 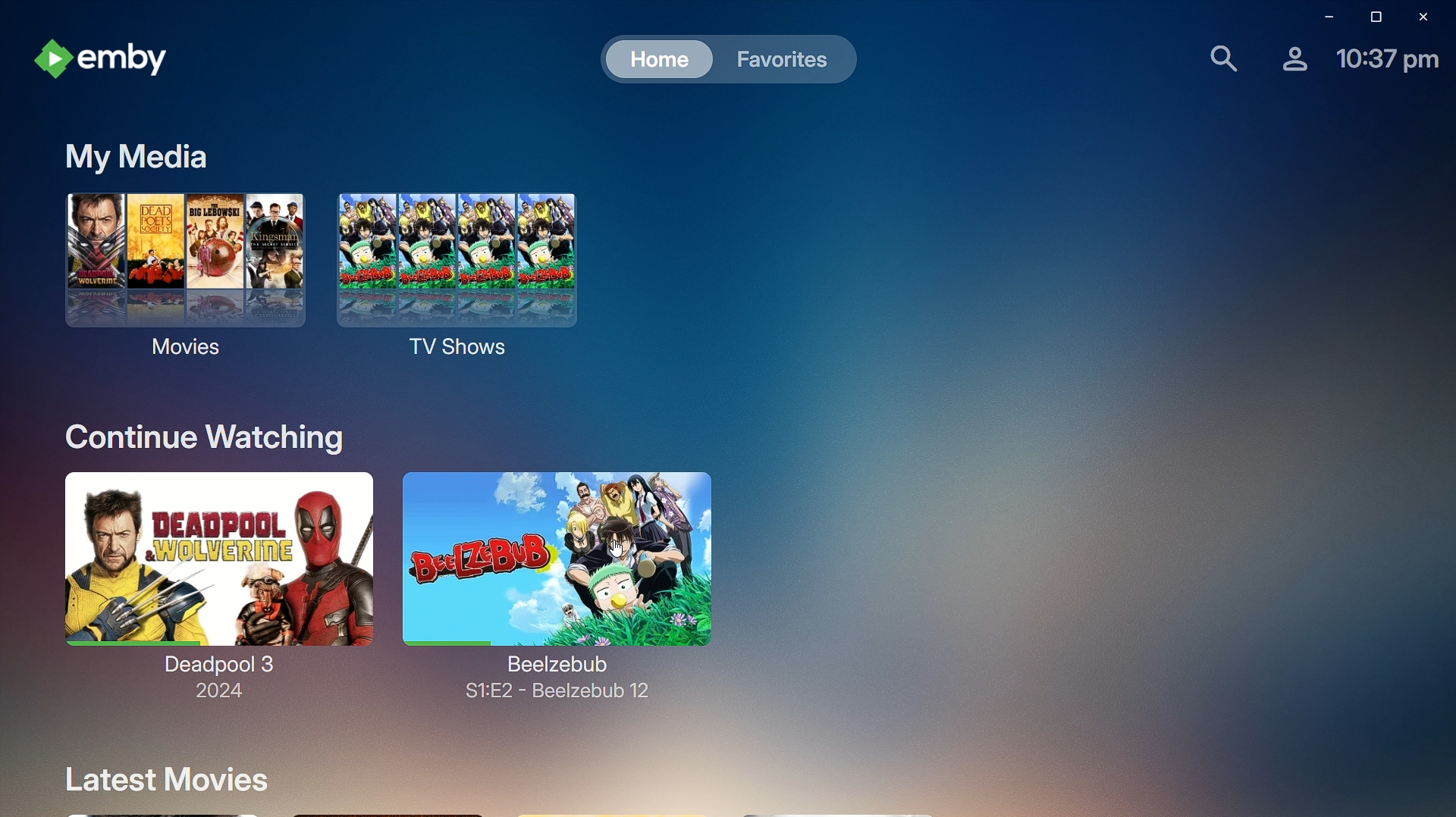 I want to click on Deadpool 3, so click(x=212, y=571).